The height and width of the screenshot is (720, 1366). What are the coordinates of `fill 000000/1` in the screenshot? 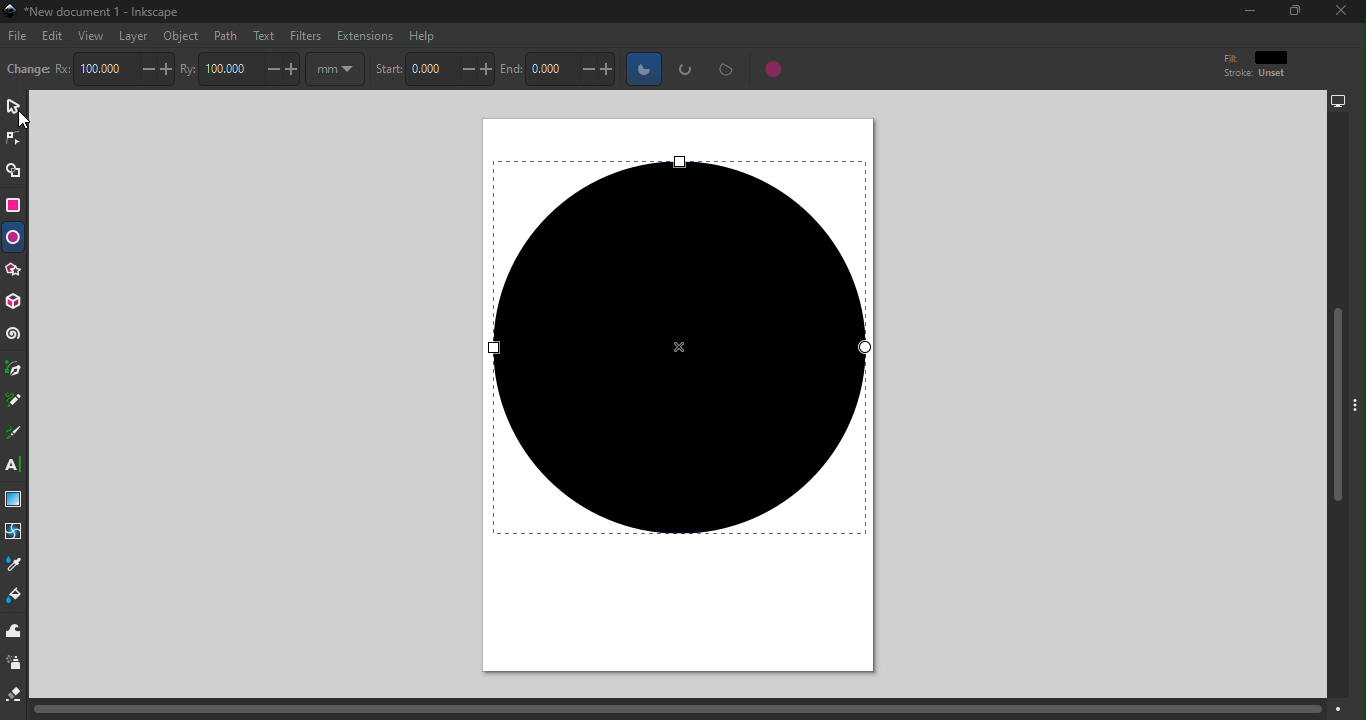 It's located at (1272, 56).